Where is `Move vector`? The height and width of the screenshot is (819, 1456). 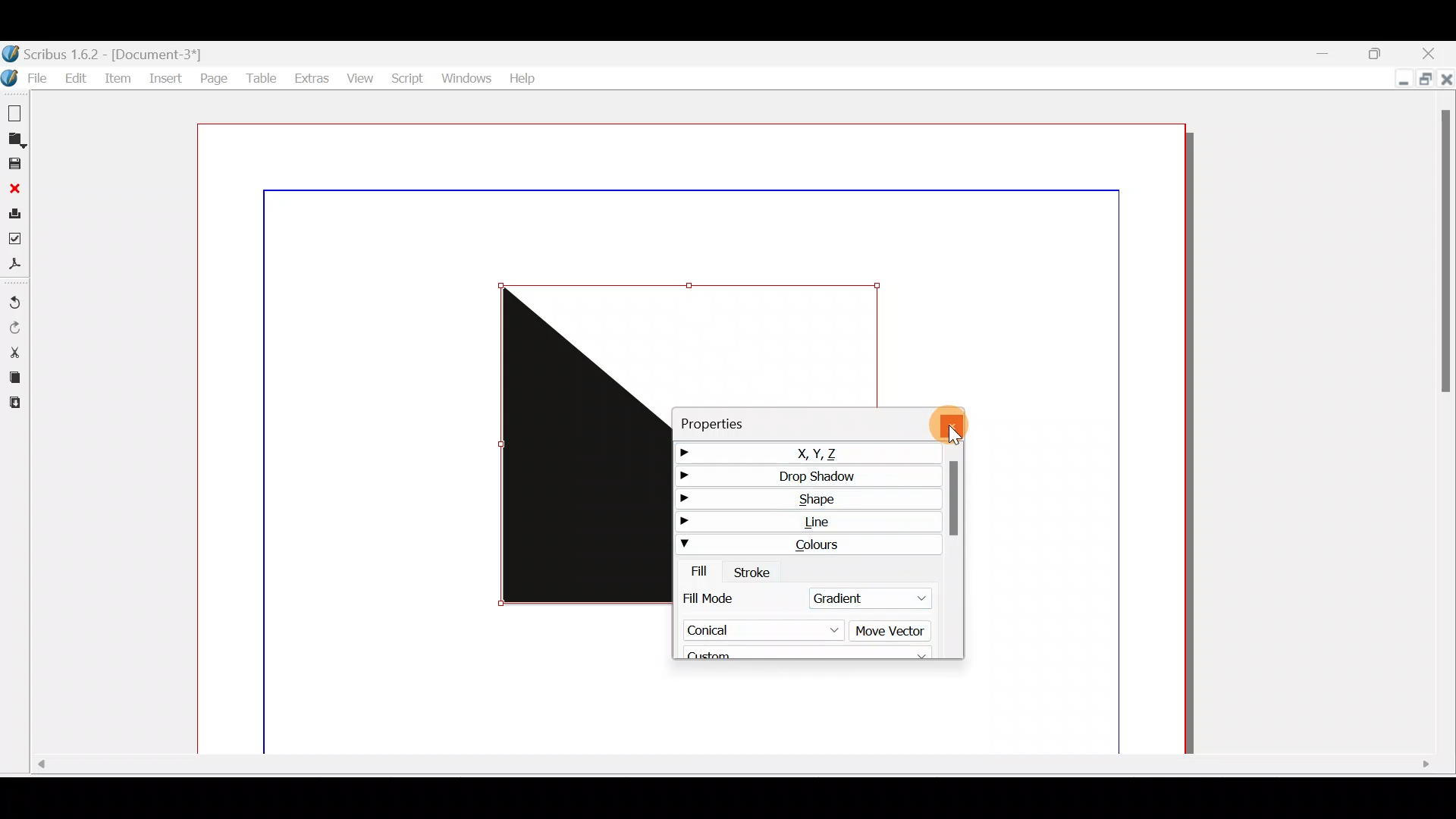
Move vector is located at coordinates (893, 632).